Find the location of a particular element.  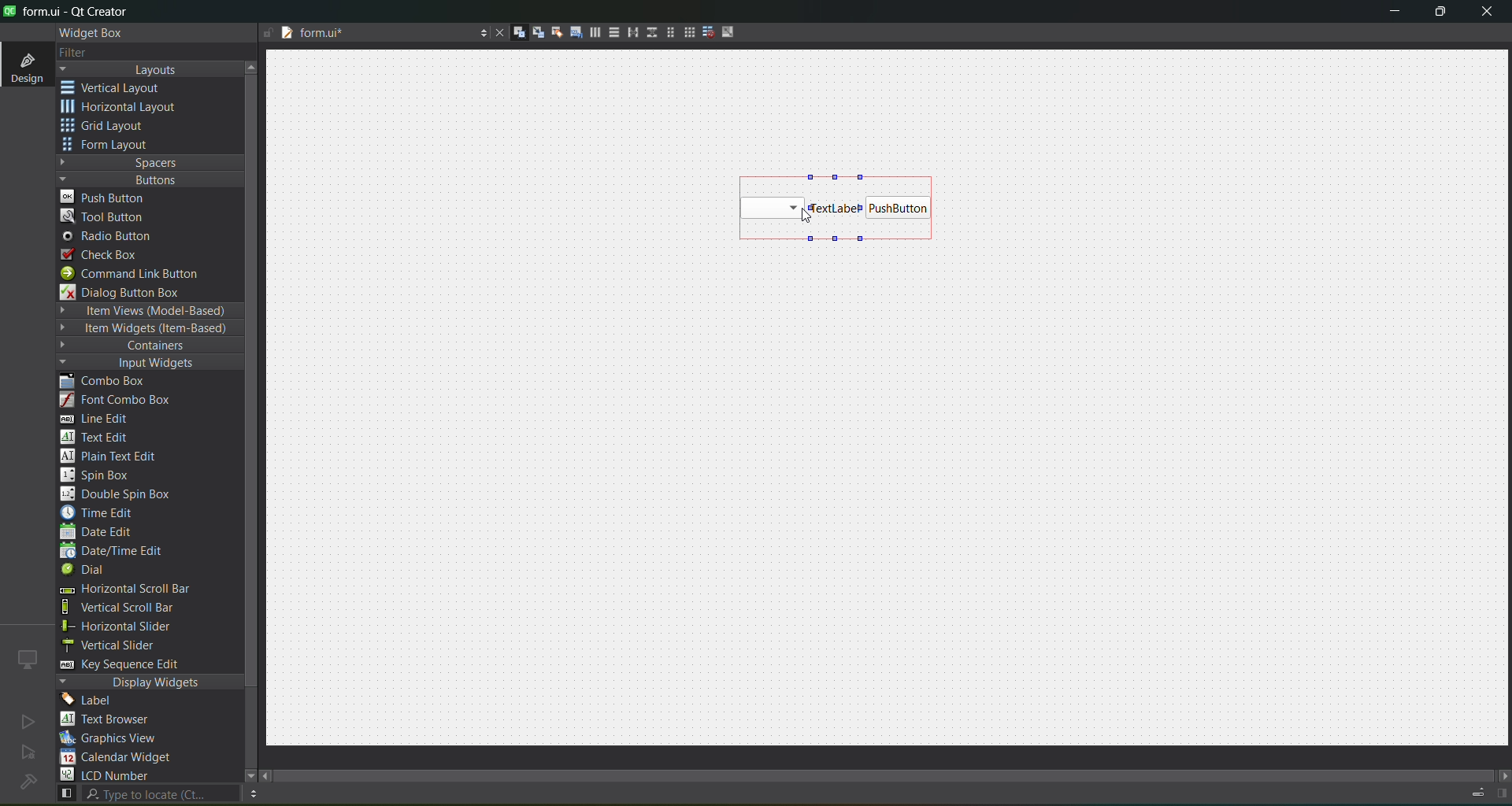

move right is located at coordinates (1503, 777).